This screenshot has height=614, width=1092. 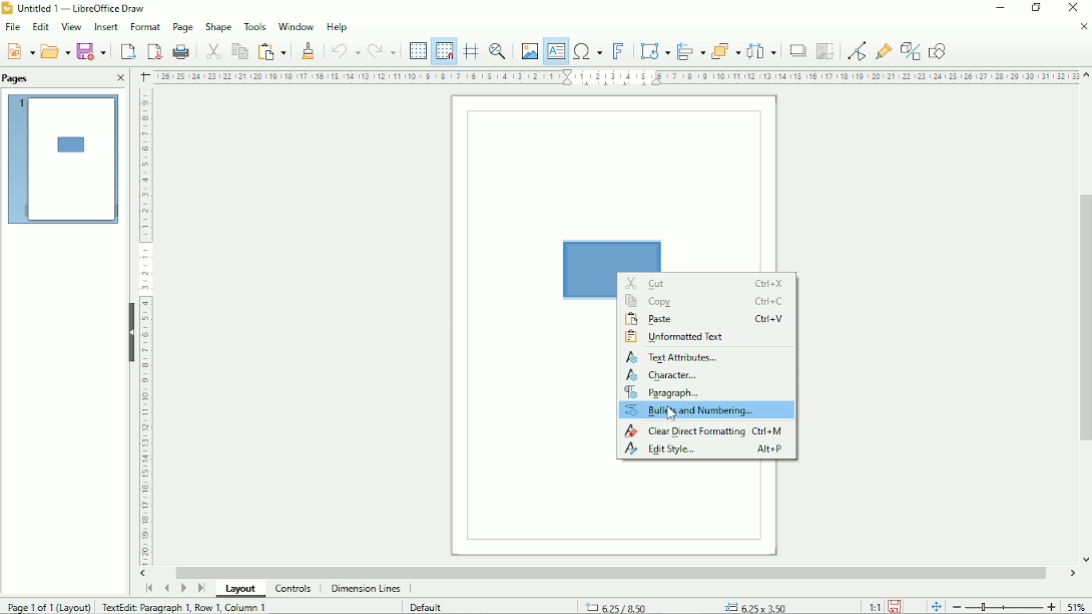 What do you see at coordinates (825, 52) in the screenshot?
I see `Crop image` at bounding box center [825, 52].